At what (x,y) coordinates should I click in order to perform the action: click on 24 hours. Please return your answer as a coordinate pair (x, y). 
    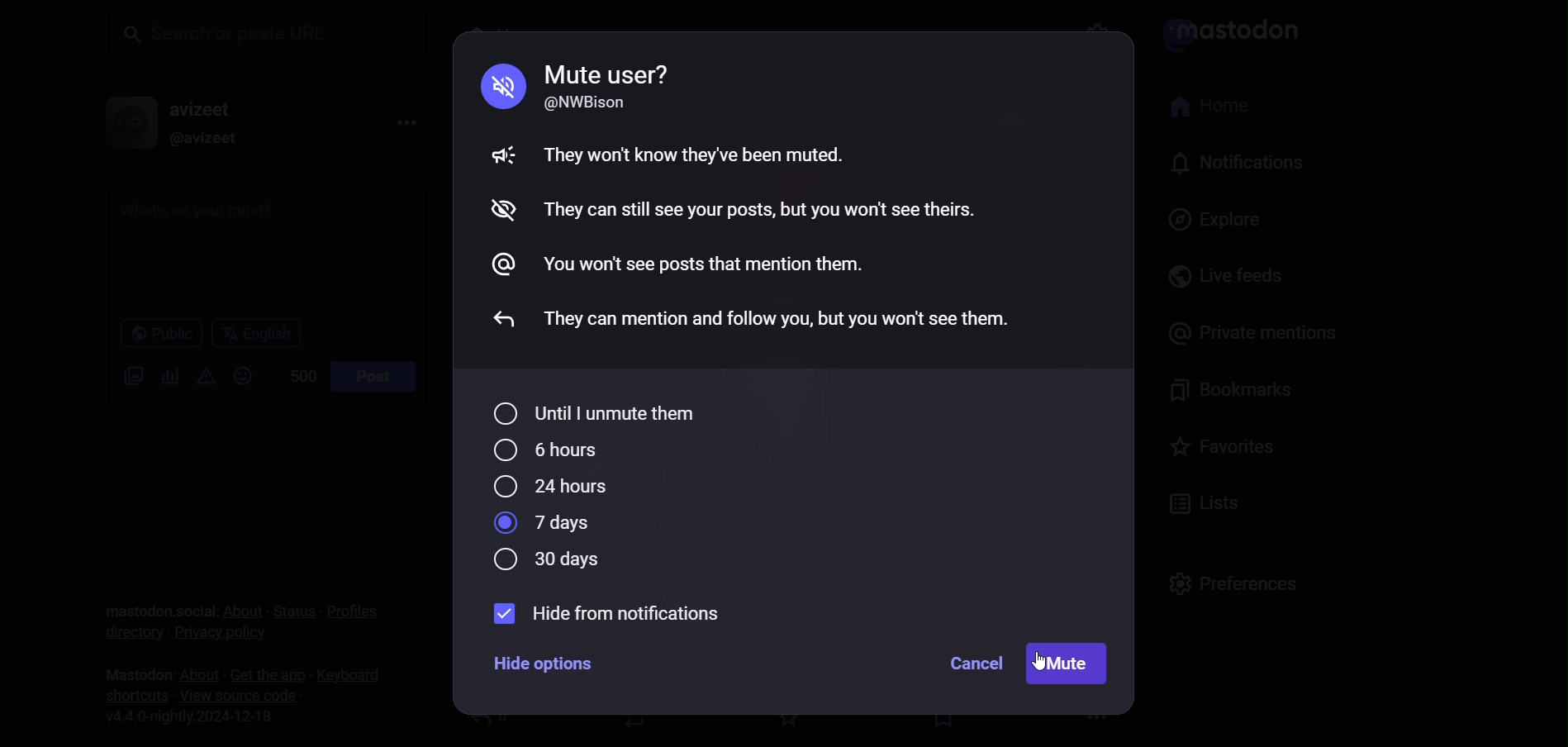
    Looking at the image, I should click on (548, 488).